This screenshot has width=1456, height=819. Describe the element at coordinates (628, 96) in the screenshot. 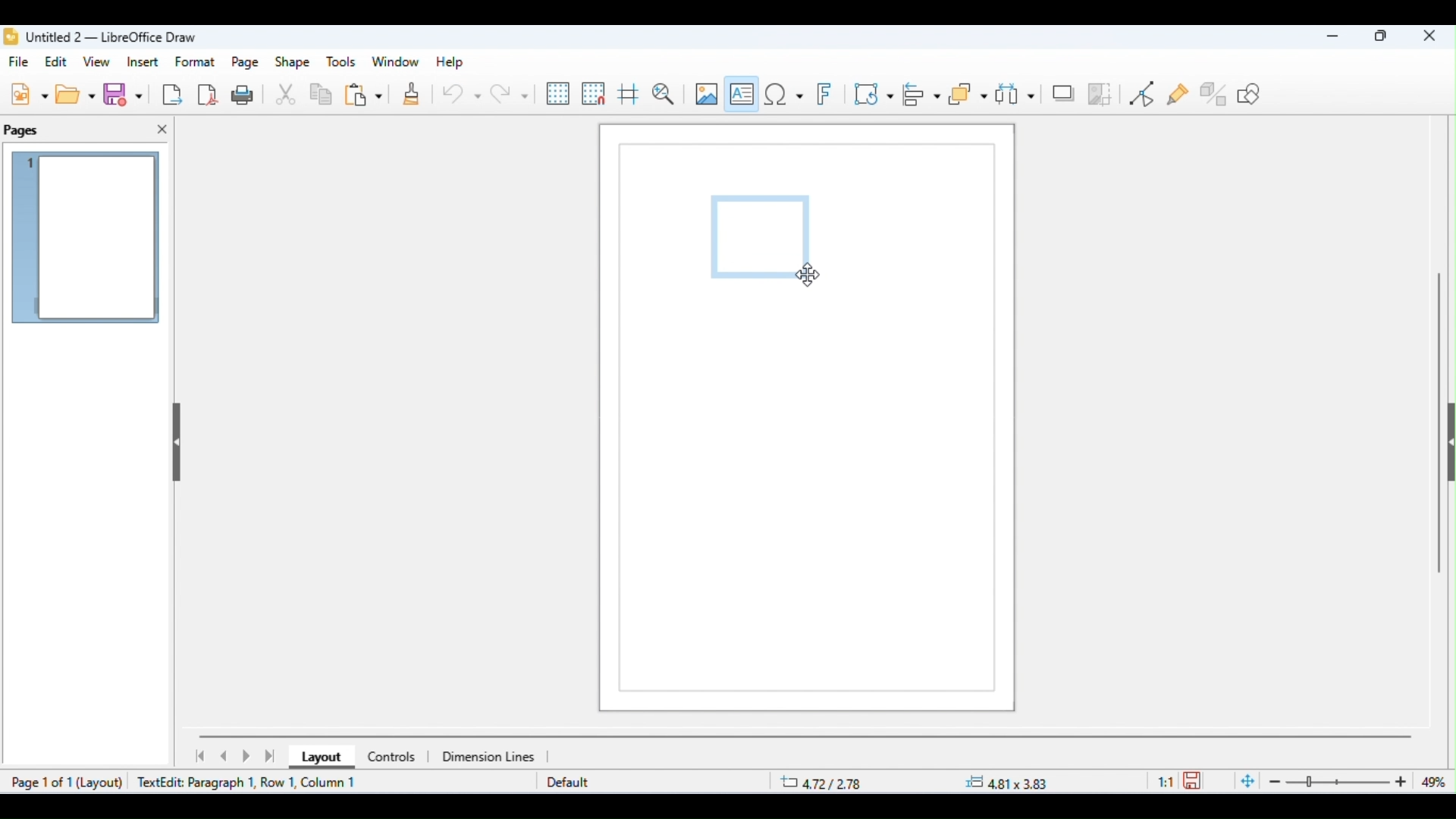

I see `show helplines while moving` at that location.